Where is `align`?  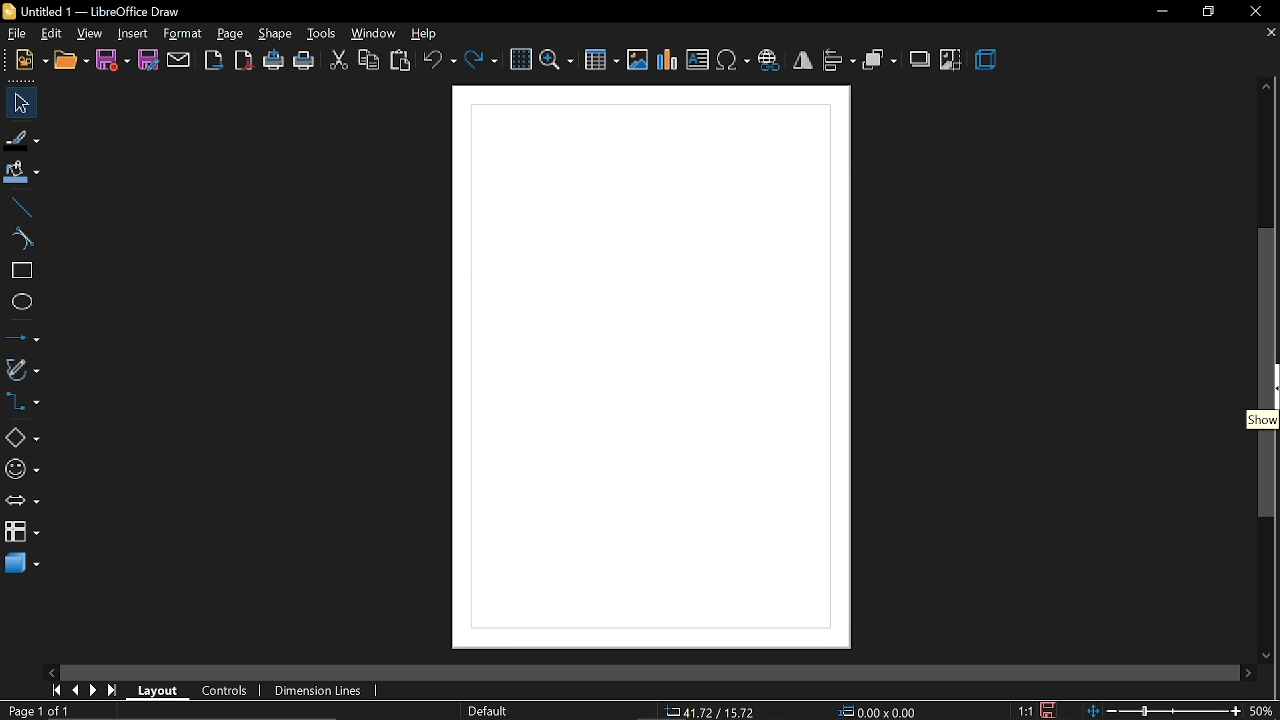 align is located at coordinates (839, 61).